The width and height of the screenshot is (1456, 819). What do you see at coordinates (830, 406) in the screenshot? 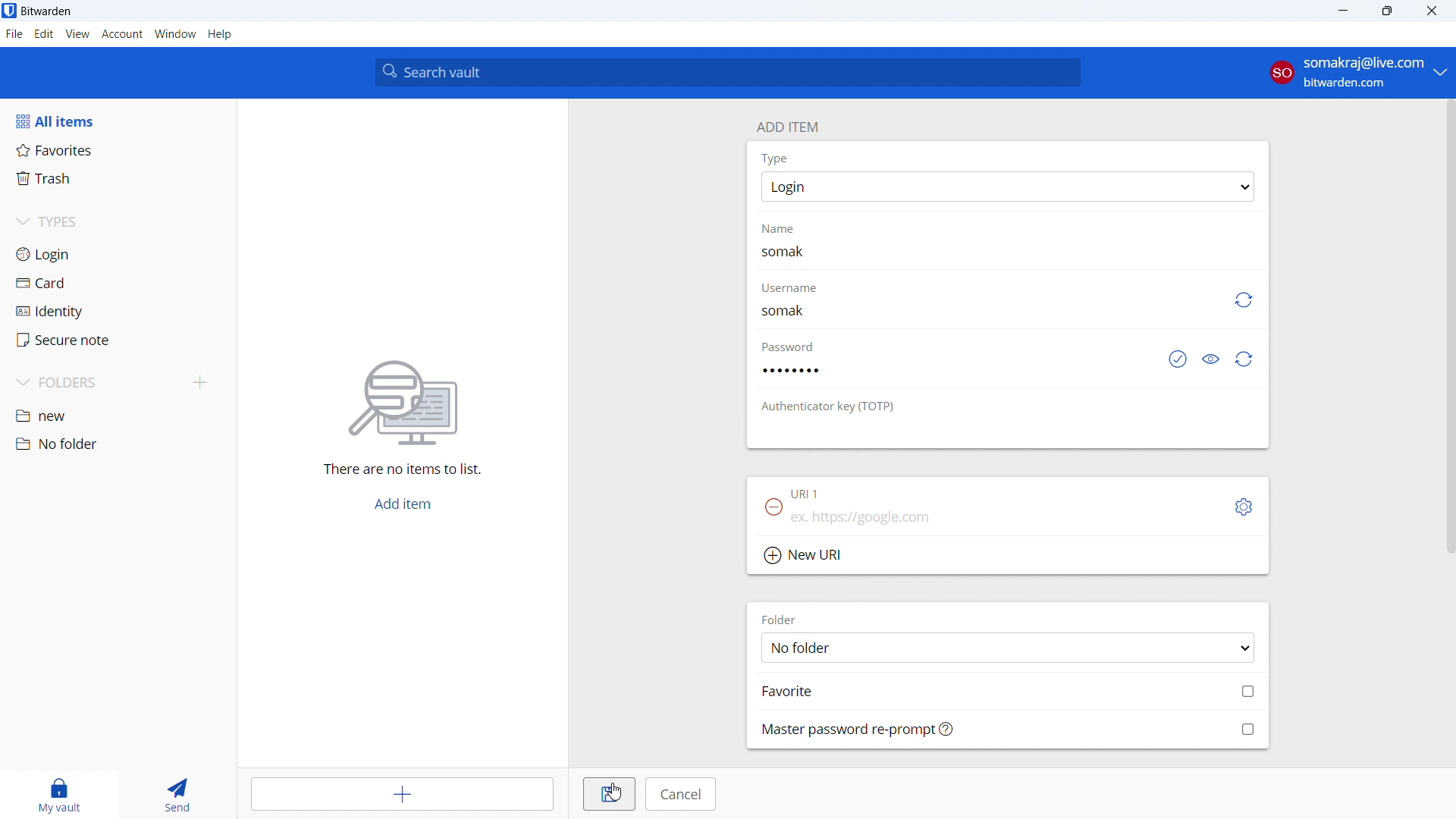
I see `otp` at bounding box center [830, 406].